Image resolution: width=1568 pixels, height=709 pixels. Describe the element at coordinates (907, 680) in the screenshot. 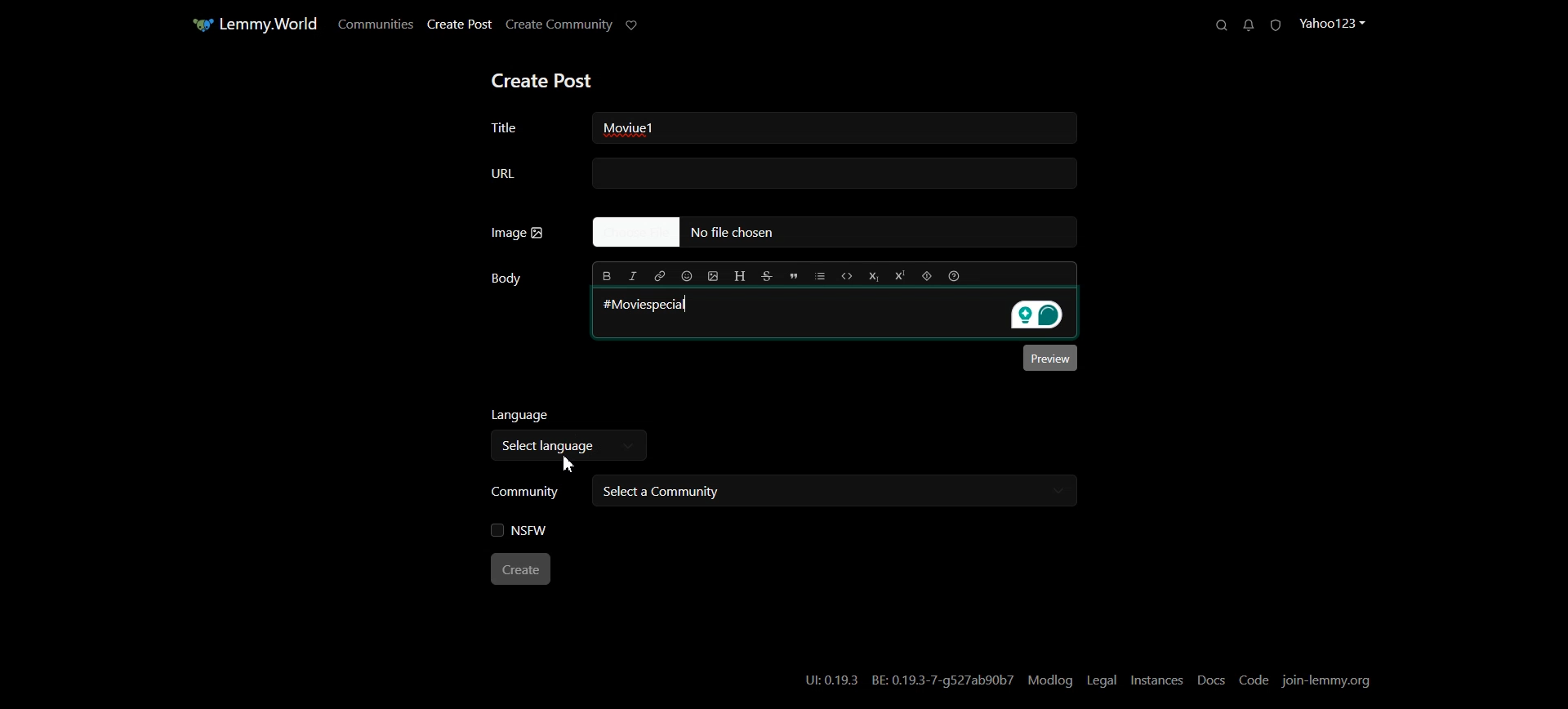

I see `UI:0.19.3 BE: 0.19.3-7-g527ab90b7` at that location.